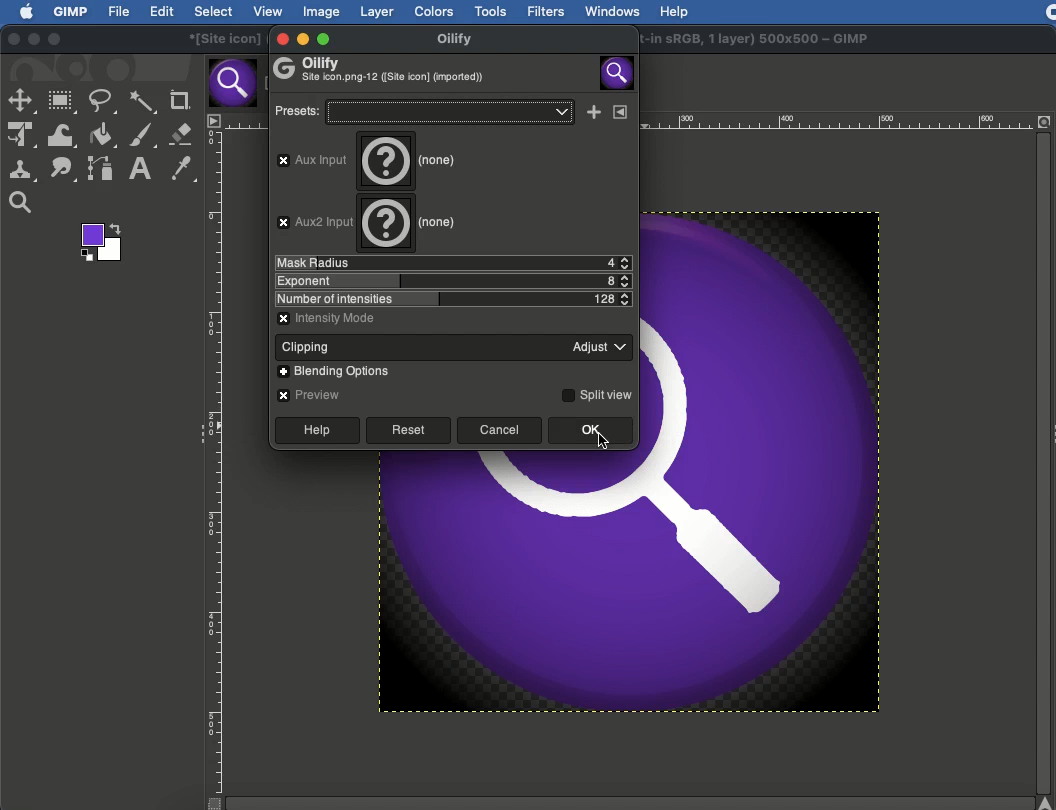 This screenshot has width=1056, height=810. What do you see at coordinates (604, 442) in the screenshot?
I see `cursor` at bounding box center [604, 442].